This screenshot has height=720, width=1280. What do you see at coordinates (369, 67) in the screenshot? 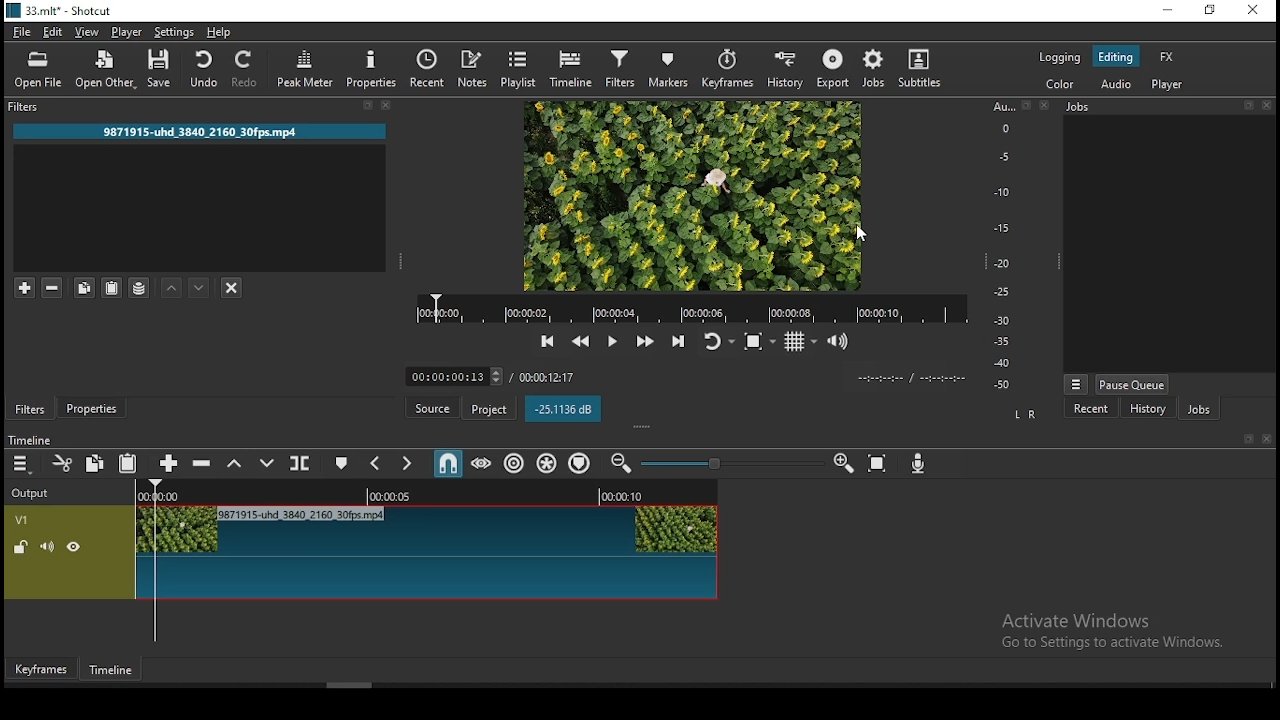
I see `properties` at bounding box center [369, 67].